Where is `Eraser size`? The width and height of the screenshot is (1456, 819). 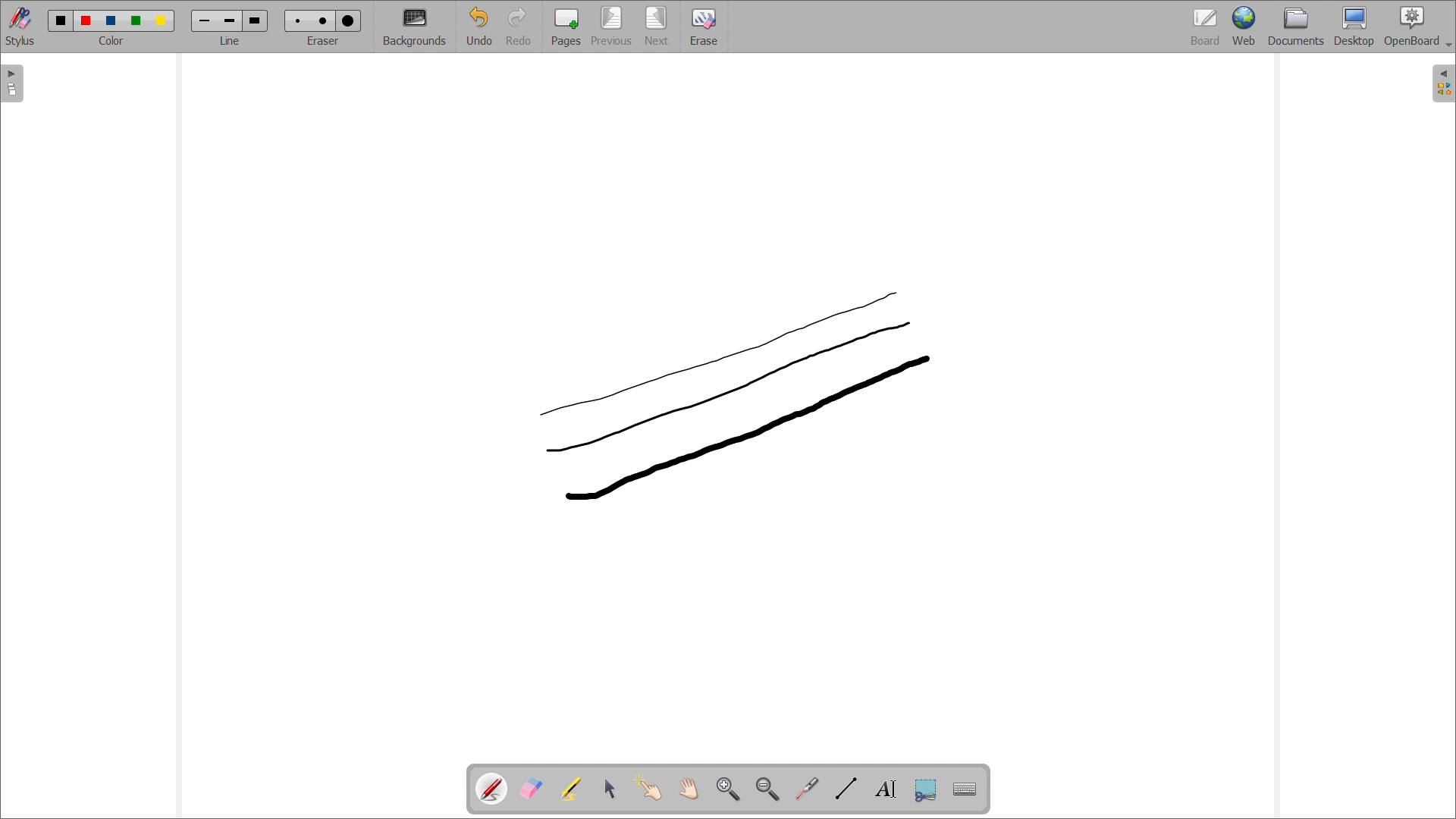
Eraser size is located at coordinates (299, 20).